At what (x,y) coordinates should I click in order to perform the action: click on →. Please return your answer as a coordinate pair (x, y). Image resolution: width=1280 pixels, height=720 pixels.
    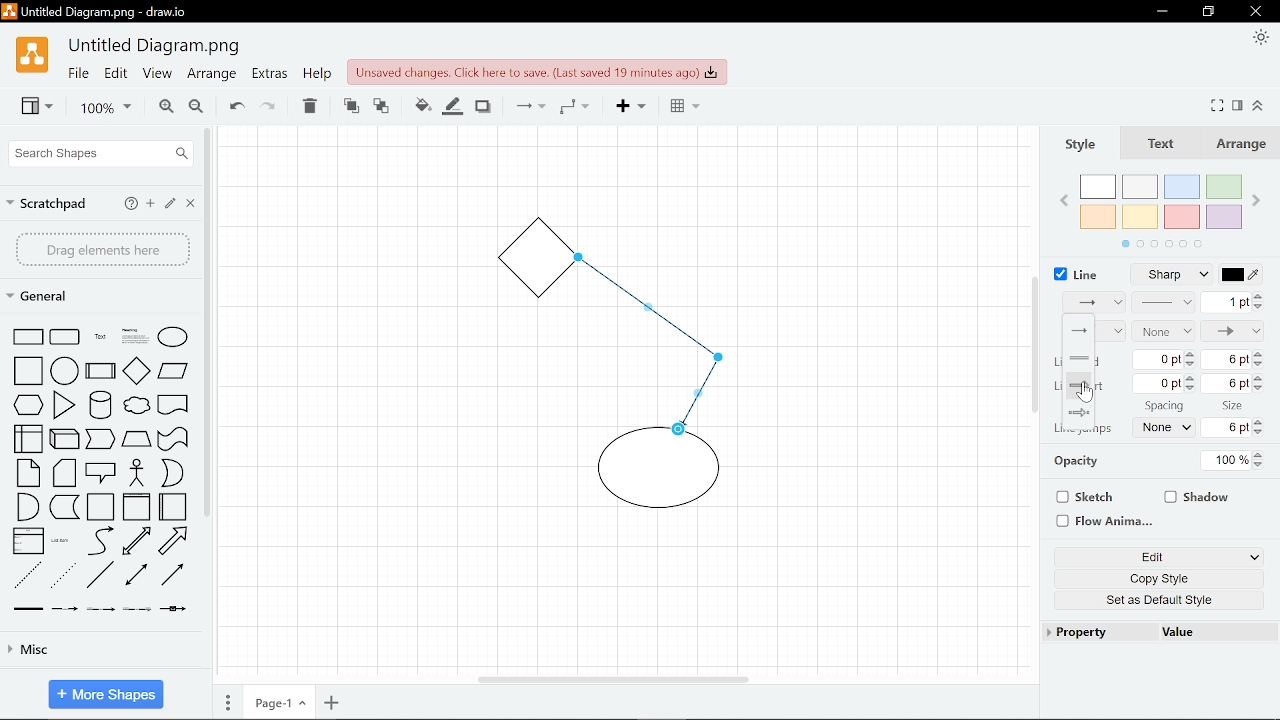
    Looking at the image, I should click on (1078, 385).